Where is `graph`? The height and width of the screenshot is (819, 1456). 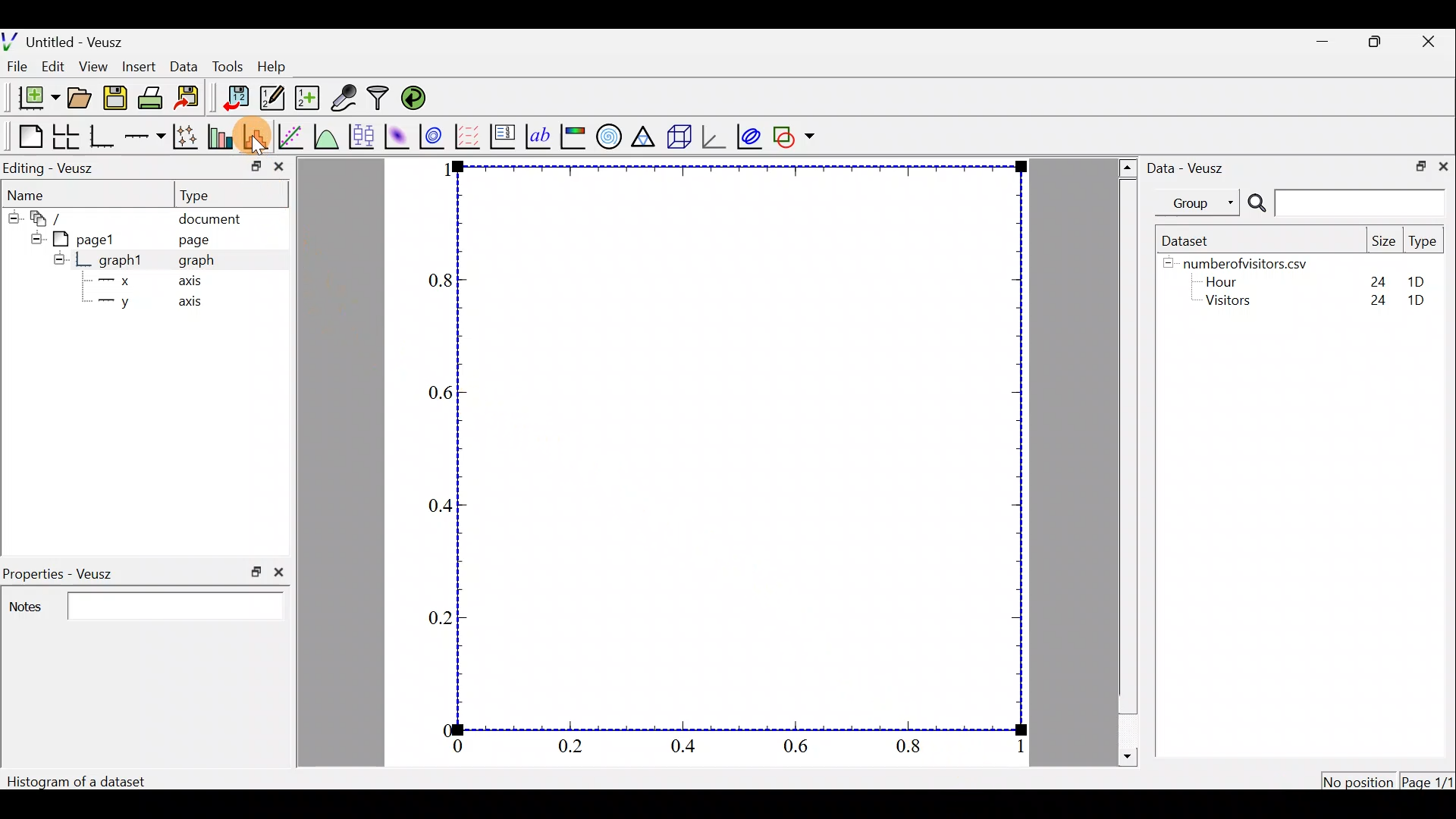
graph is located at coordinates (202, 262).